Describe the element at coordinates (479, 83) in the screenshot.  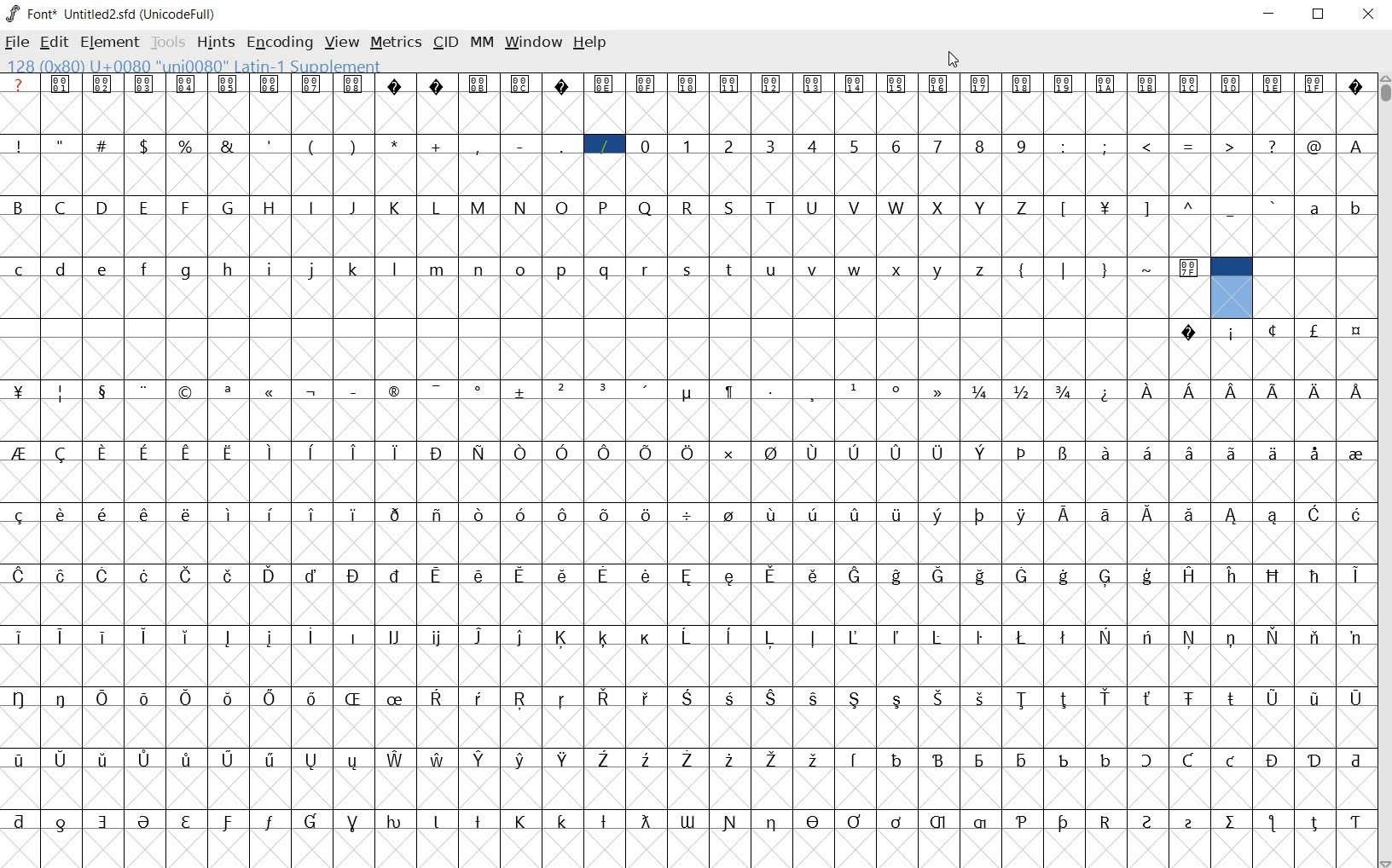
I see `Symbol` at that location.